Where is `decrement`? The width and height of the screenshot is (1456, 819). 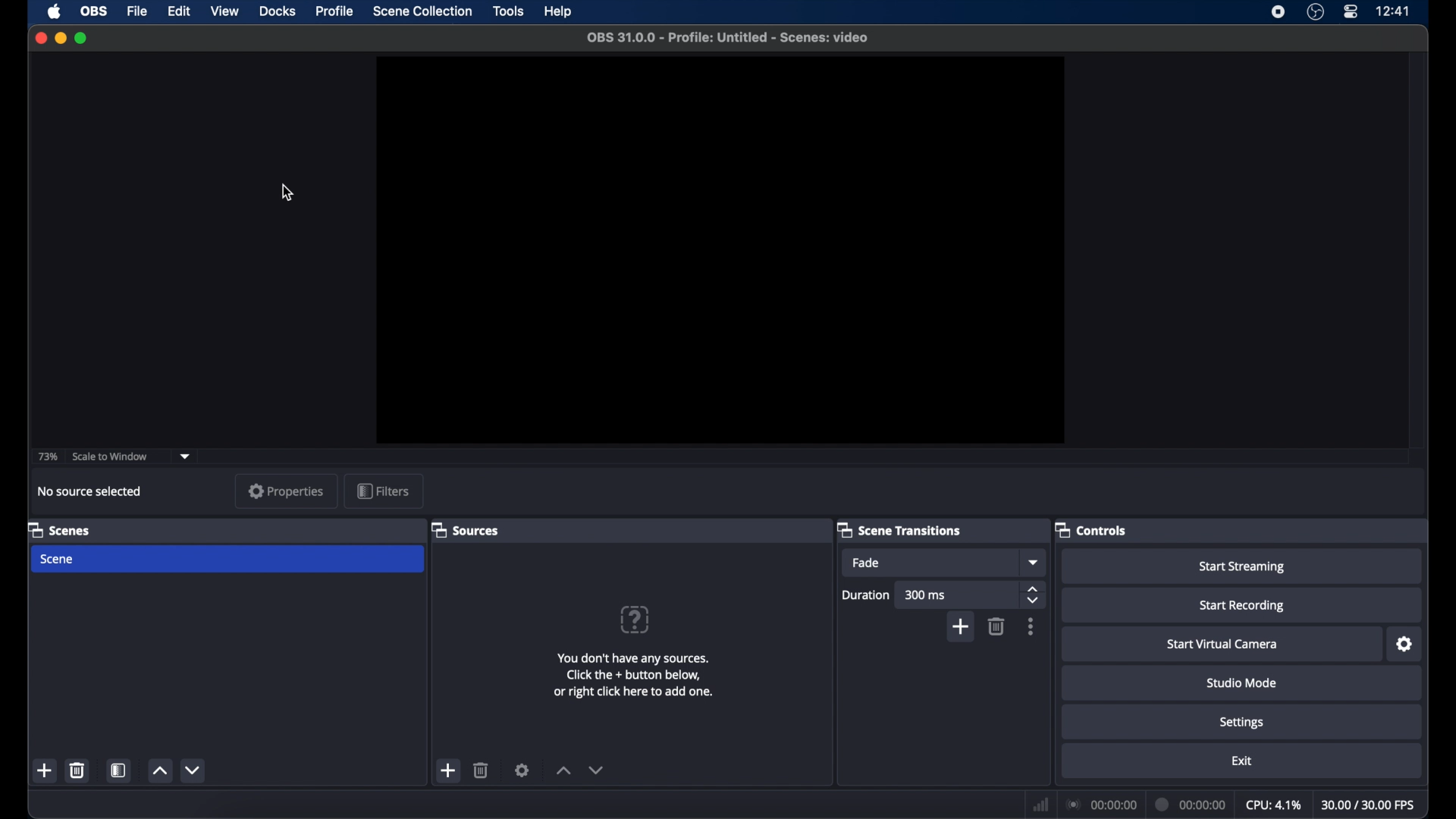 decrement is located at coordinates (598, 768).